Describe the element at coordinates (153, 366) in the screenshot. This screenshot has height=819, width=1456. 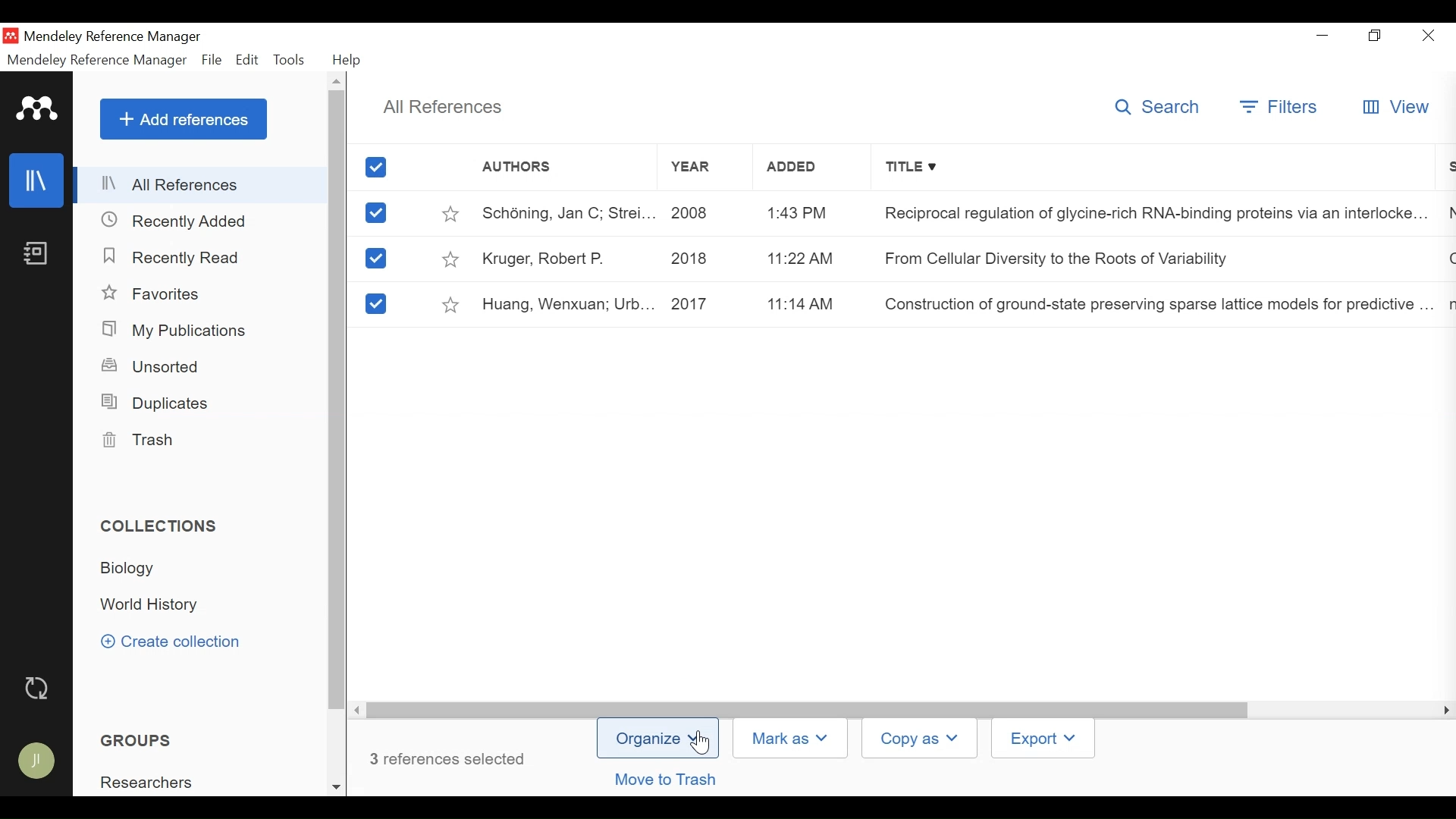
I see `Unsorted` at that location.